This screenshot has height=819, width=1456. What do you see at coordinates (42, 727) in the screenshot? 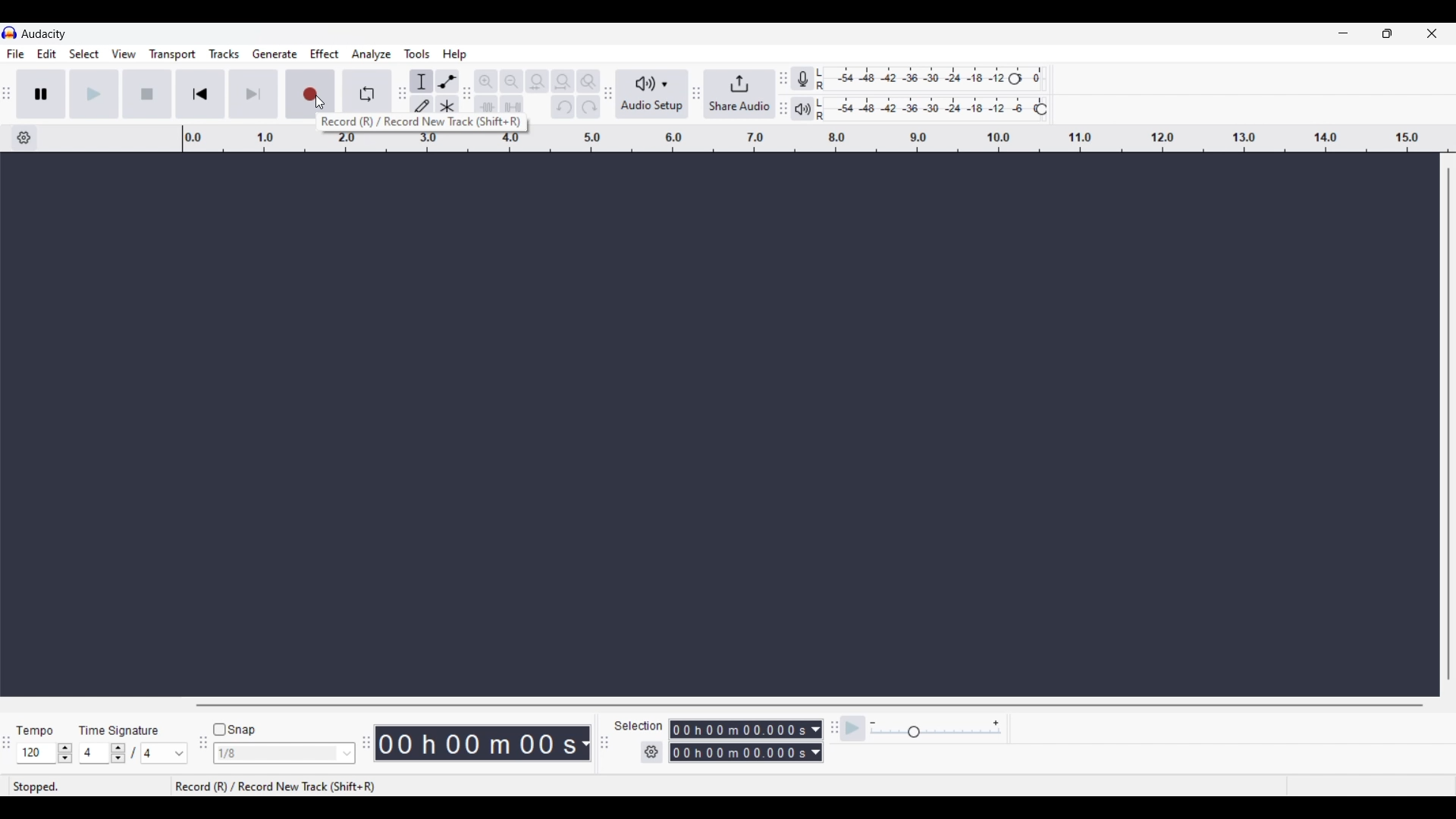
I see `Tempo` at bounding box center [42, 727].